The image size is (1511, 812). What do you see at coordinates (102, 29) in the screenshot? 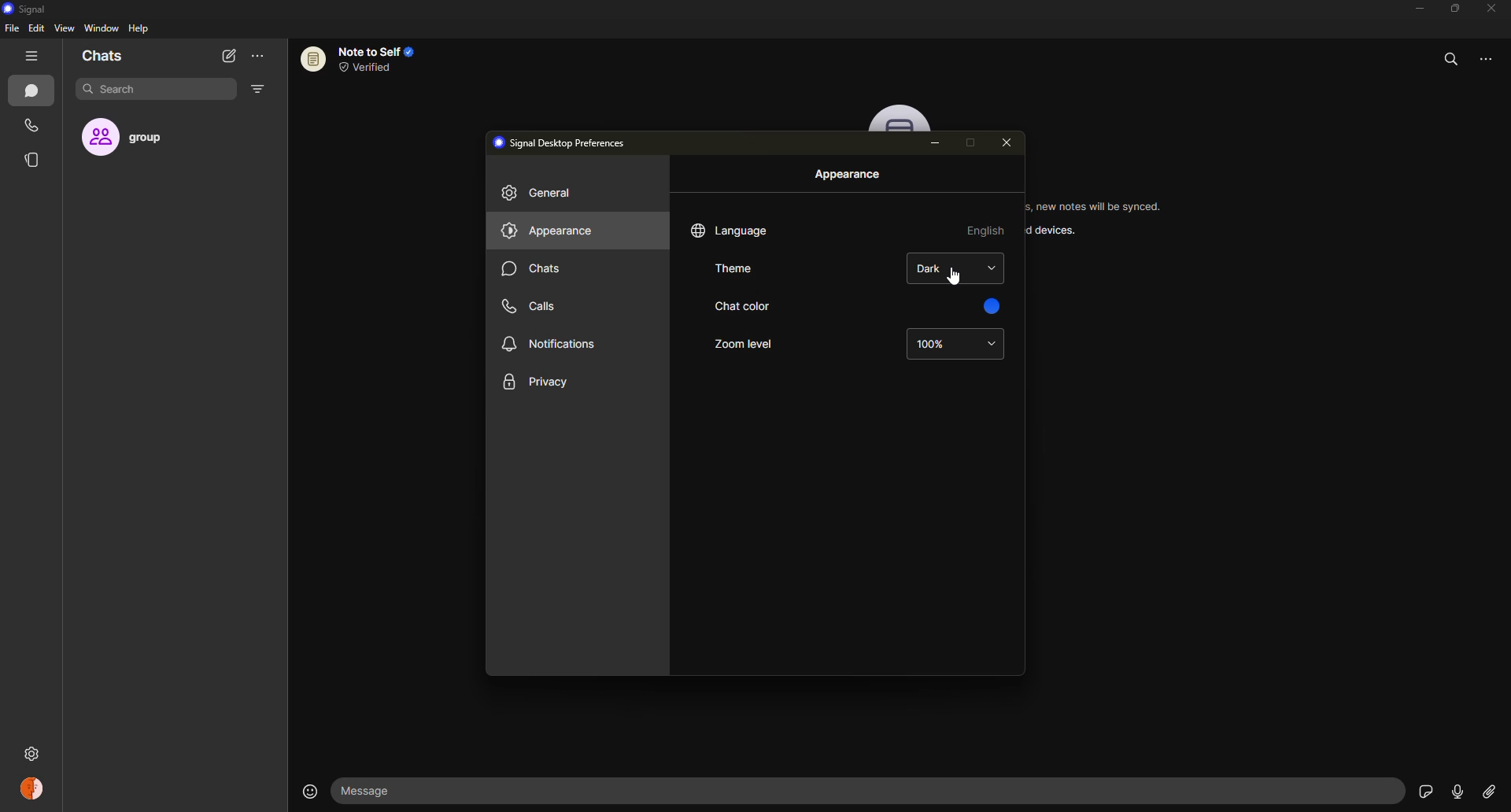
I see `window` at bounding box center [102, 29].